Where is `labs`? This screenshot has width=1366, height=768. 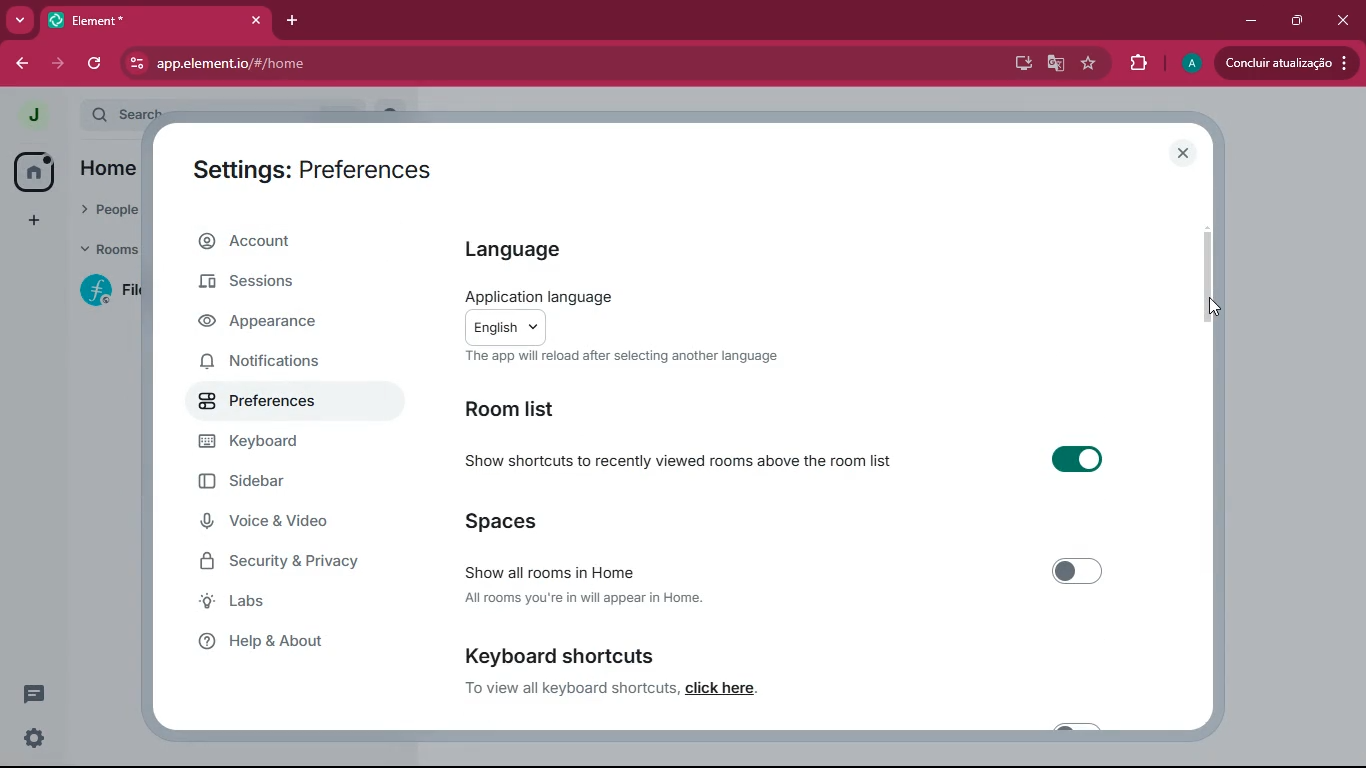 labs is located at coordinates (297, 602).